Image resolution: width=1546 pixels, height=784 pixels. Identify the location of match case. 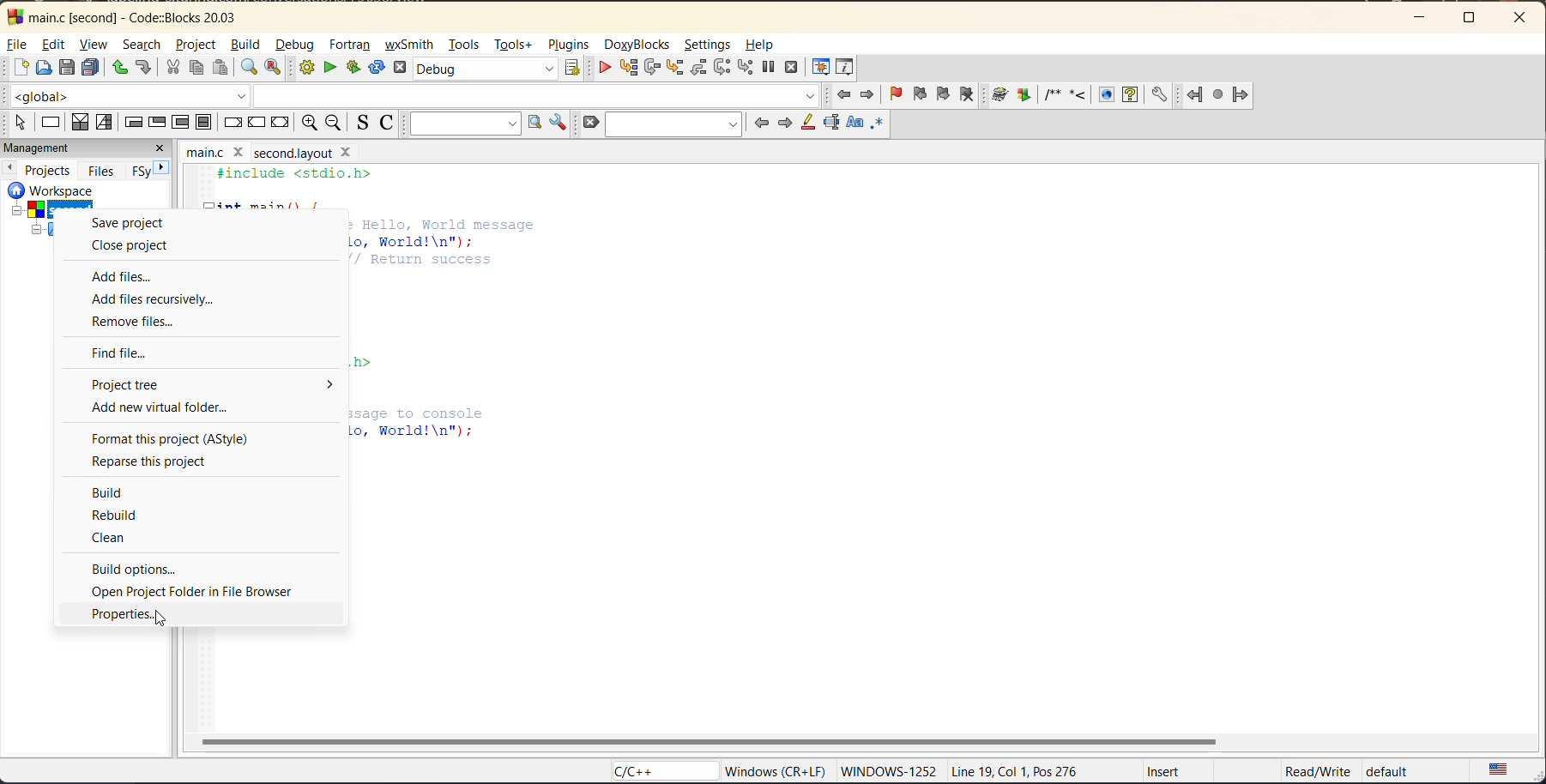
(857, 124).